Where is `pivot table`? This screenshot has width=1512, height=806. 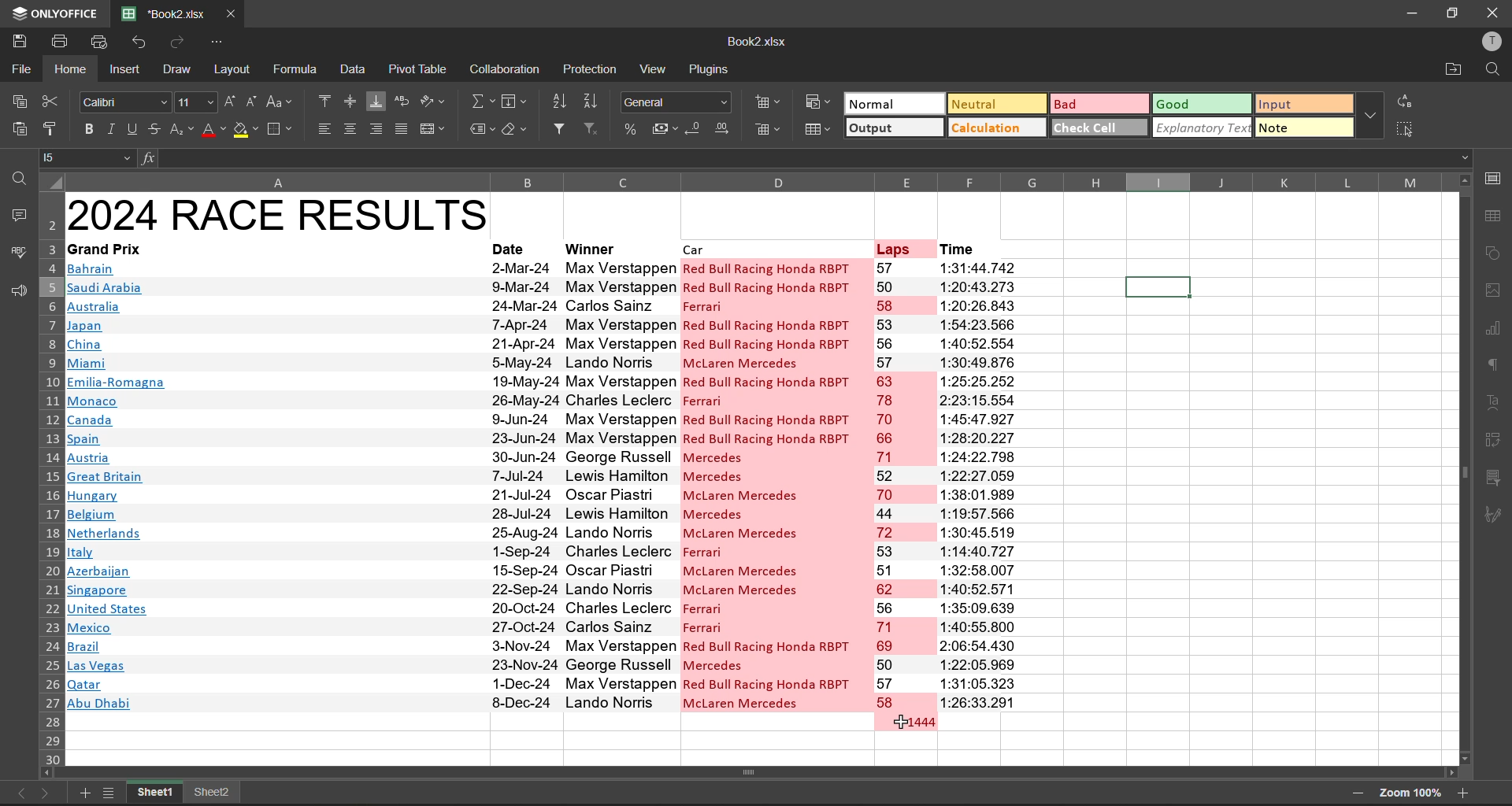
pivot table is located at coordinates (1493, 441).